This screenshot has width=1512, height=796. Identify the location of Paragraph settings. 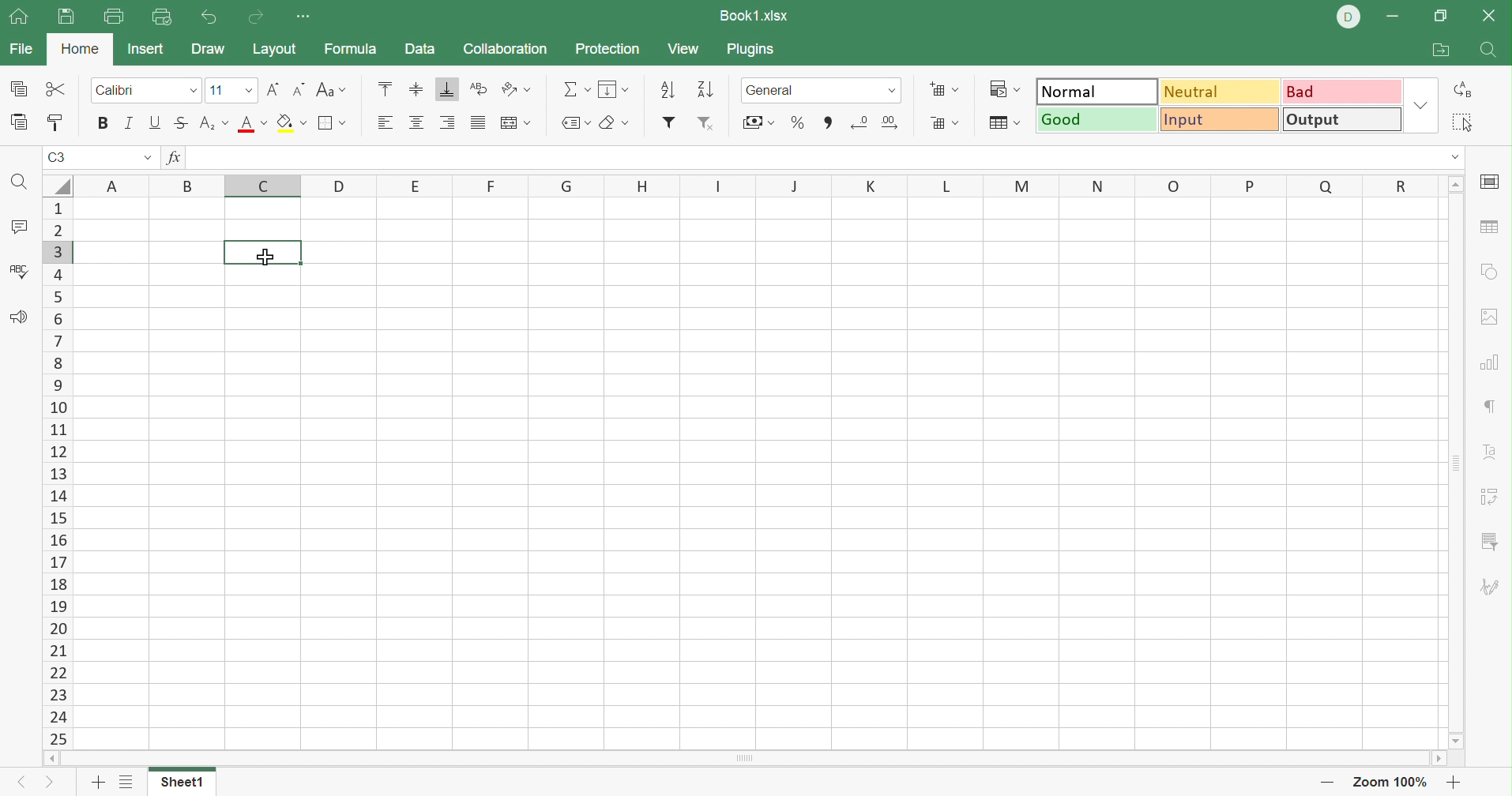
(1491, 405).